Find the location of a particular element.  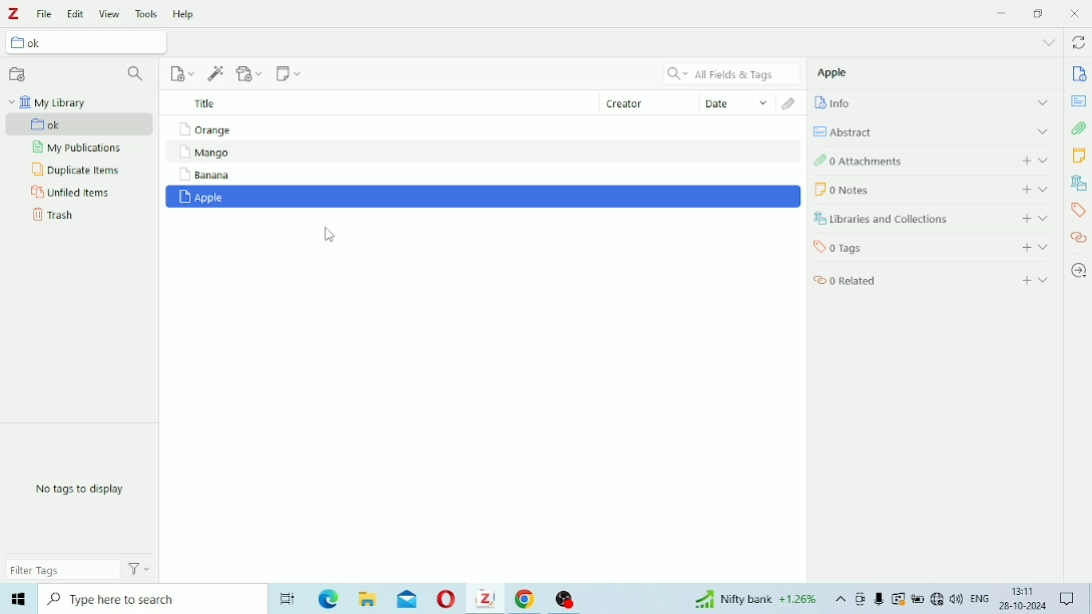

Creator is located at coordinates (635, 104).